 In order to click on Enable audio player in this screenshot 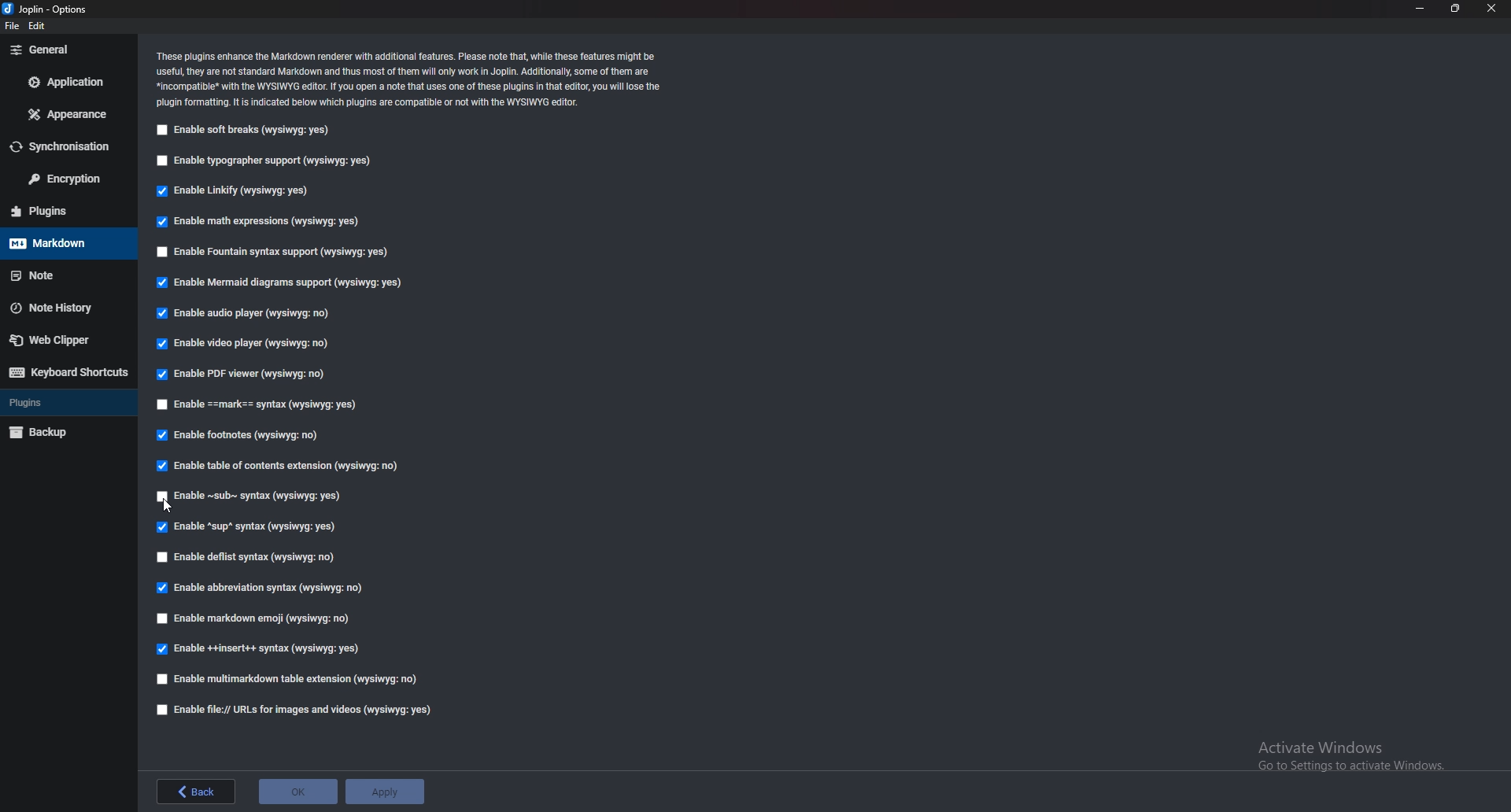, I will do `click(249, 312)`.